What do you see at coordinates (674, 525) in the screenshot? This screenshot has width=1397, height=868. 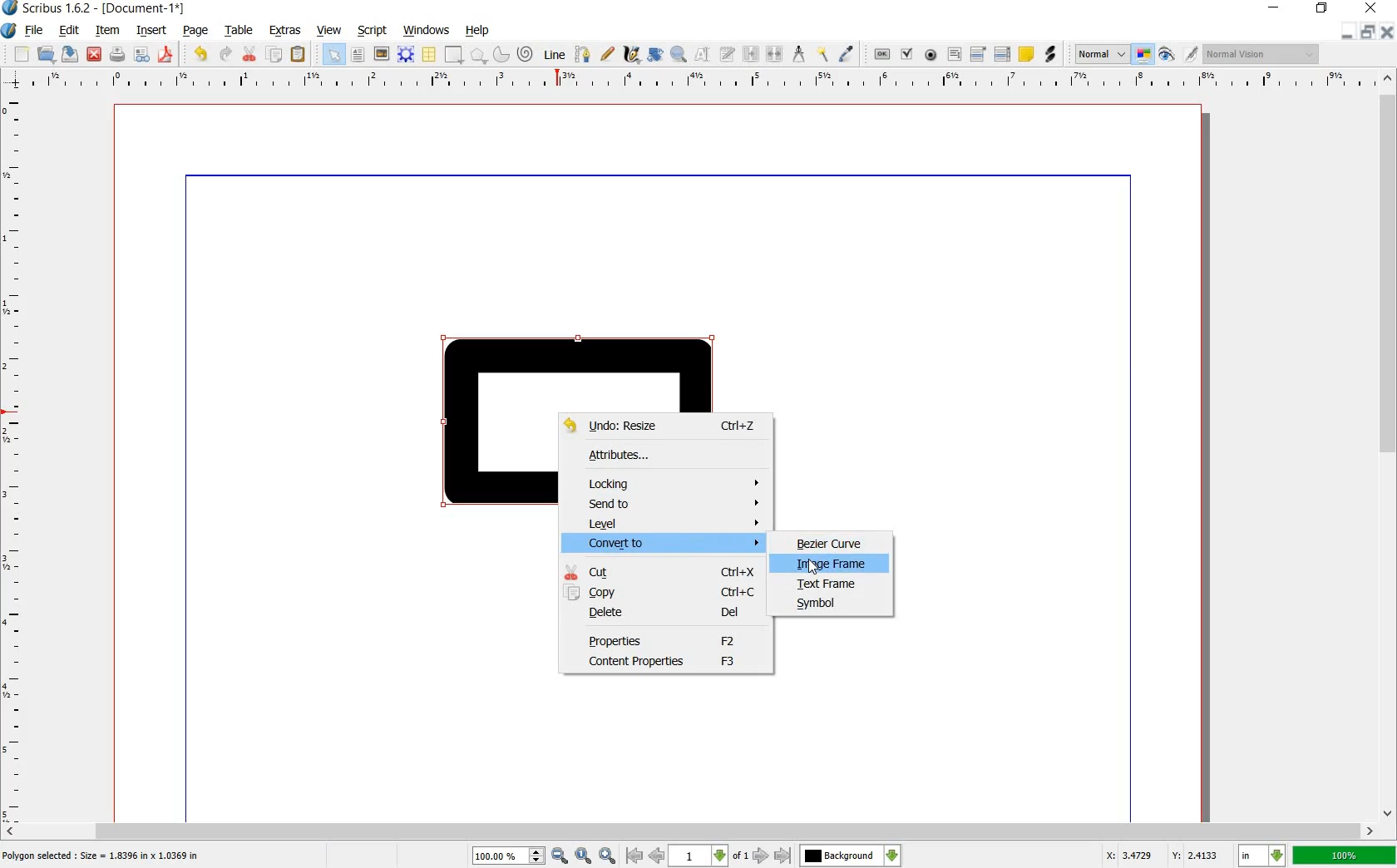 I see `LEVEL` at bounding box center [674, 525].